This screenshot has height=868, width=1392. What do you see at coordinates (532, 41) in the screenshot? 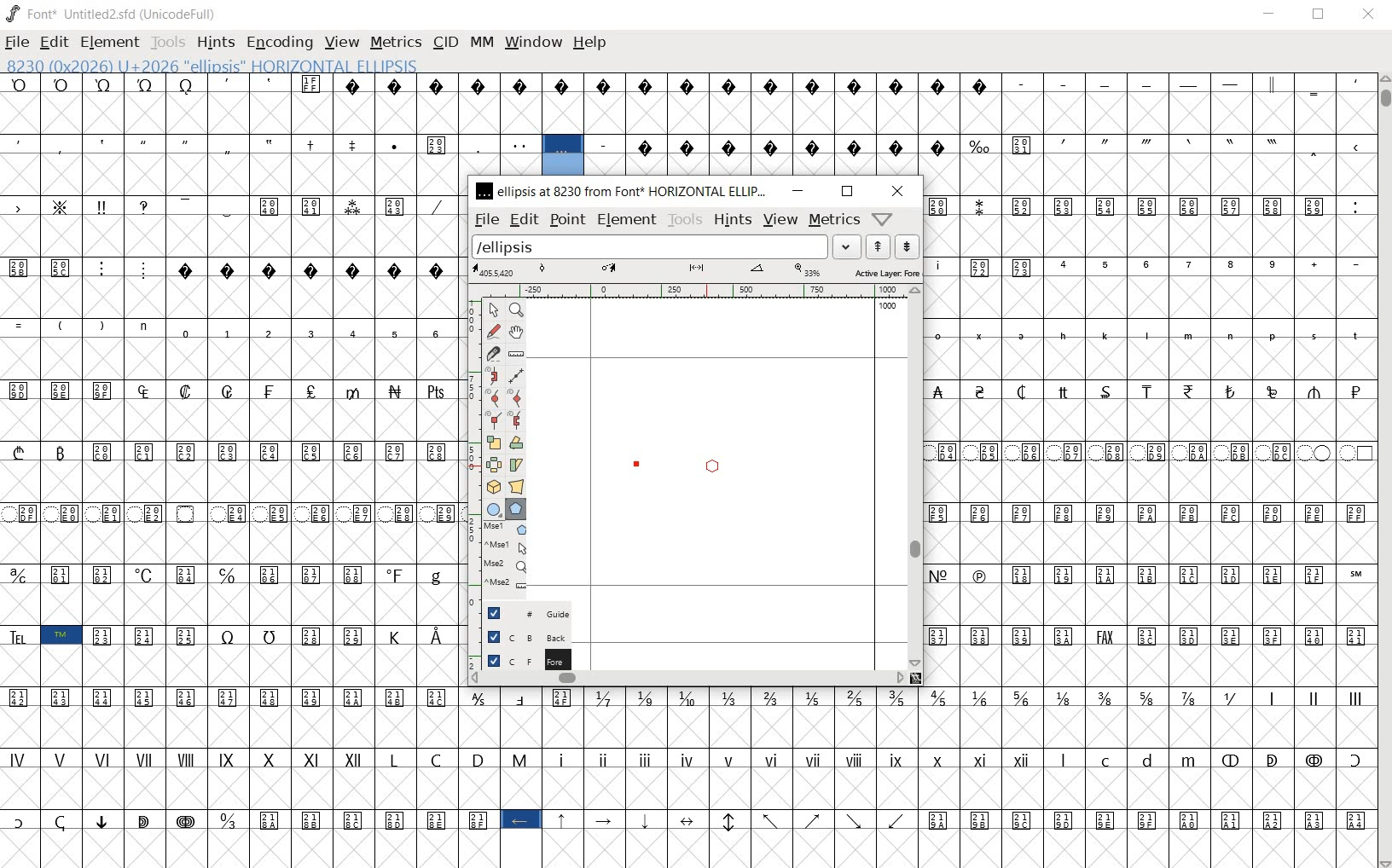
I see `WINDOW` at bounding box center [532, 41].